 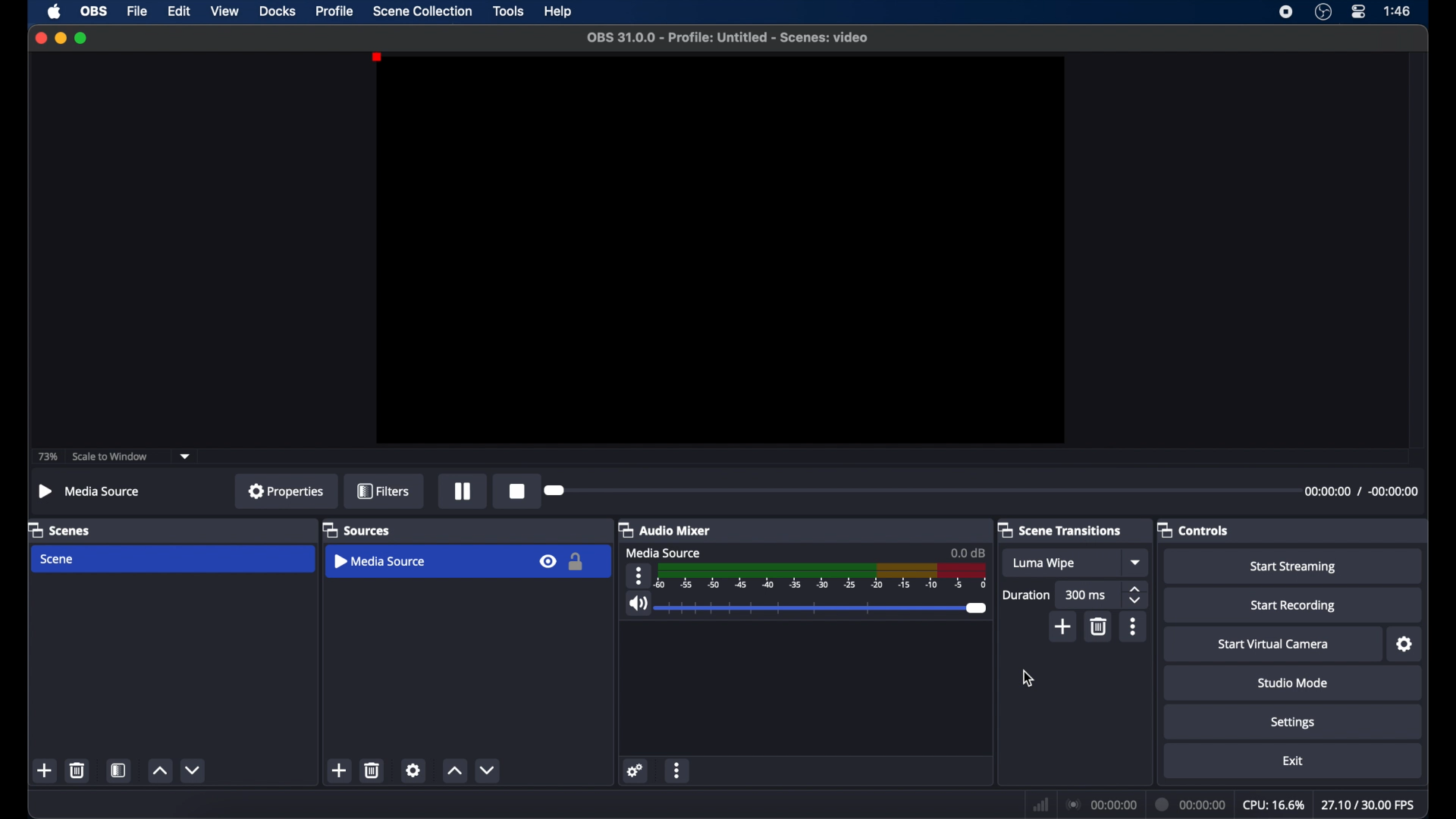 What do you see at coordinates (58, 531) in the screenshot?
I see `scenes` at bounding box center [58, 531].